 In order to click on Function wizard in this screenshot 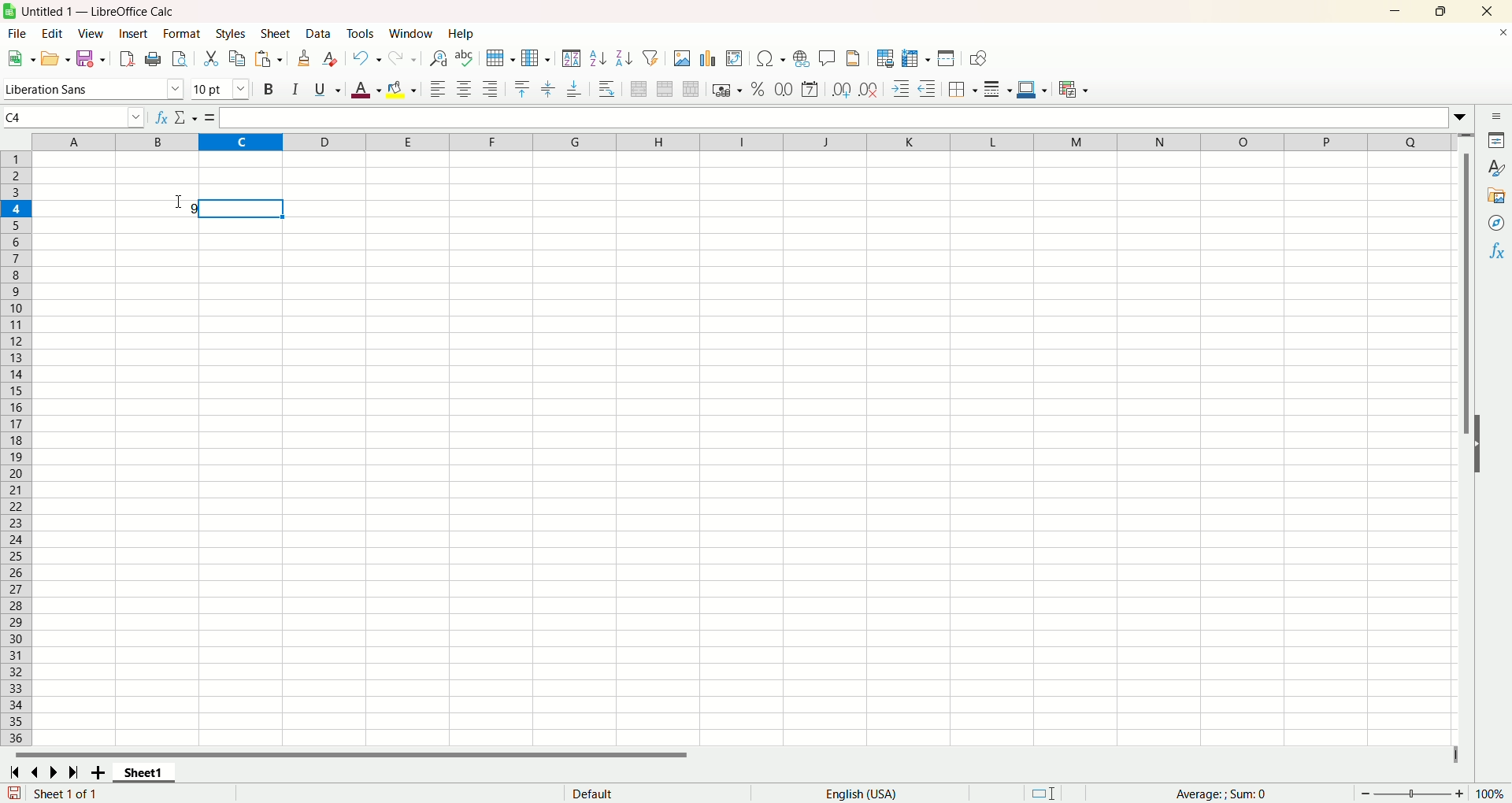, I will do `click(159, 117)`.